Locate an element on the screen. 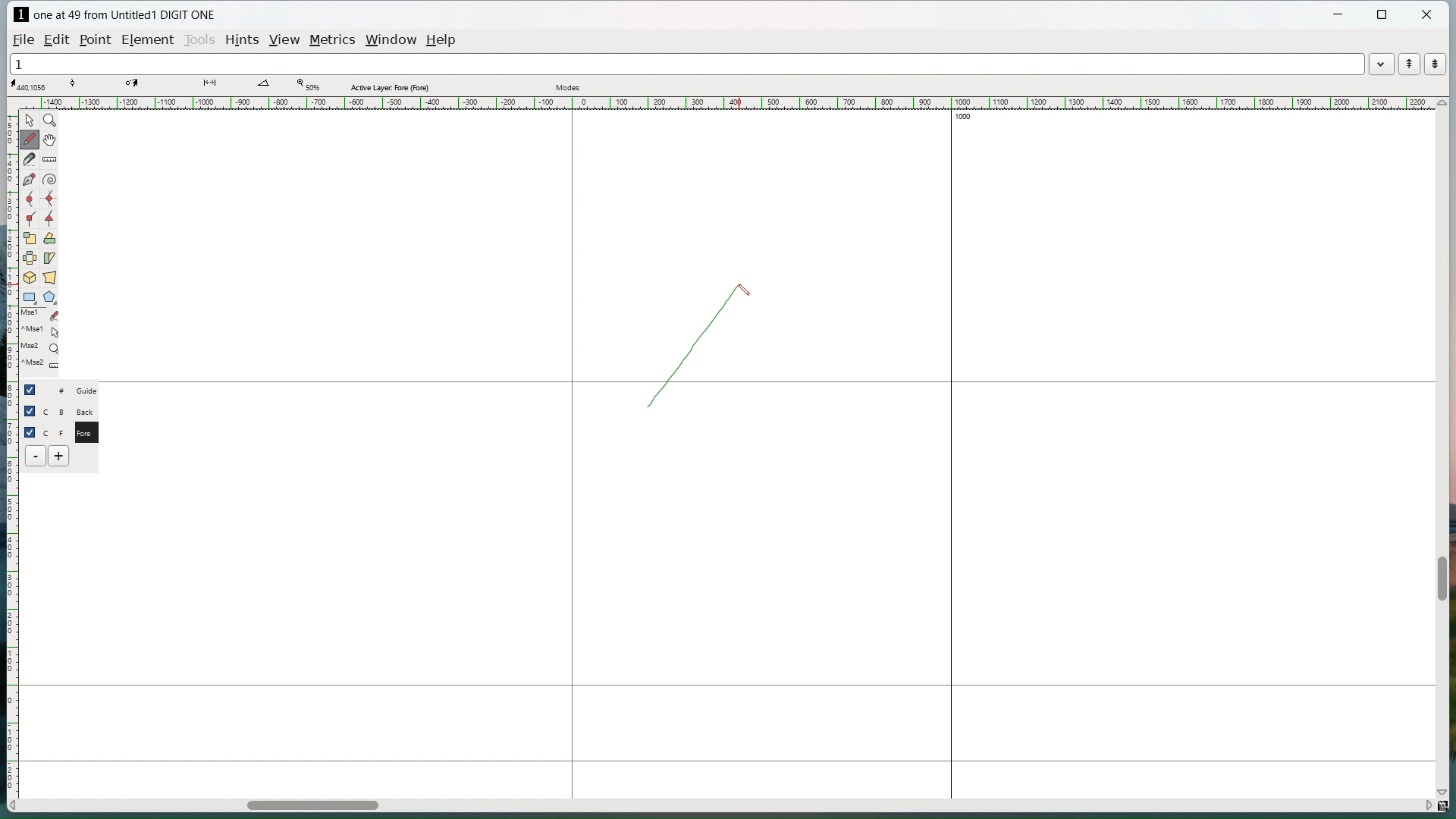  edit is located at coordinates (59, 39).